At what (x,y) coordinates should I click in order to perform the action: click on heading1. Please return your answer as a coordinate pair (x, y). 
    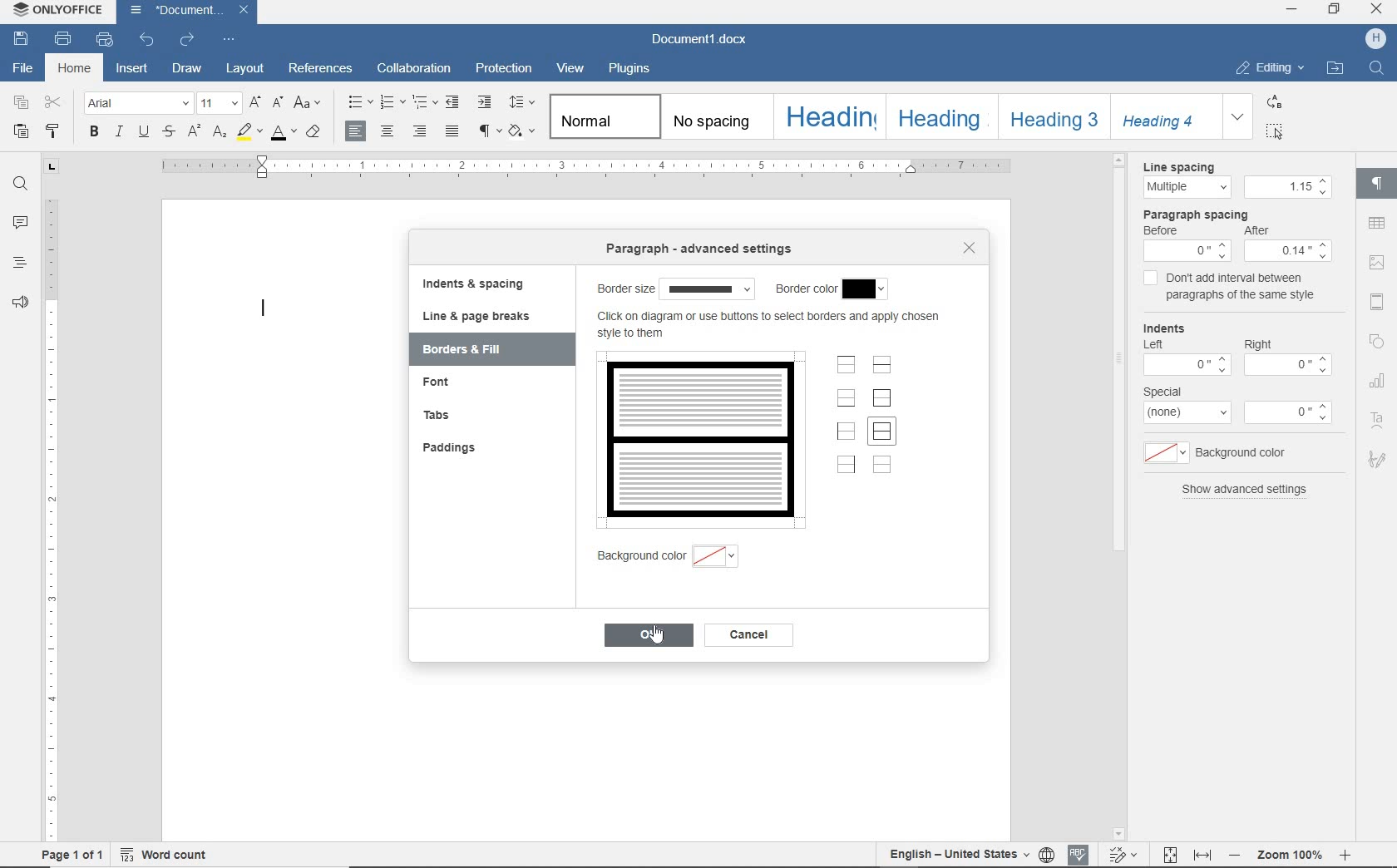
    Looking at the image, I should click on (832, 116).